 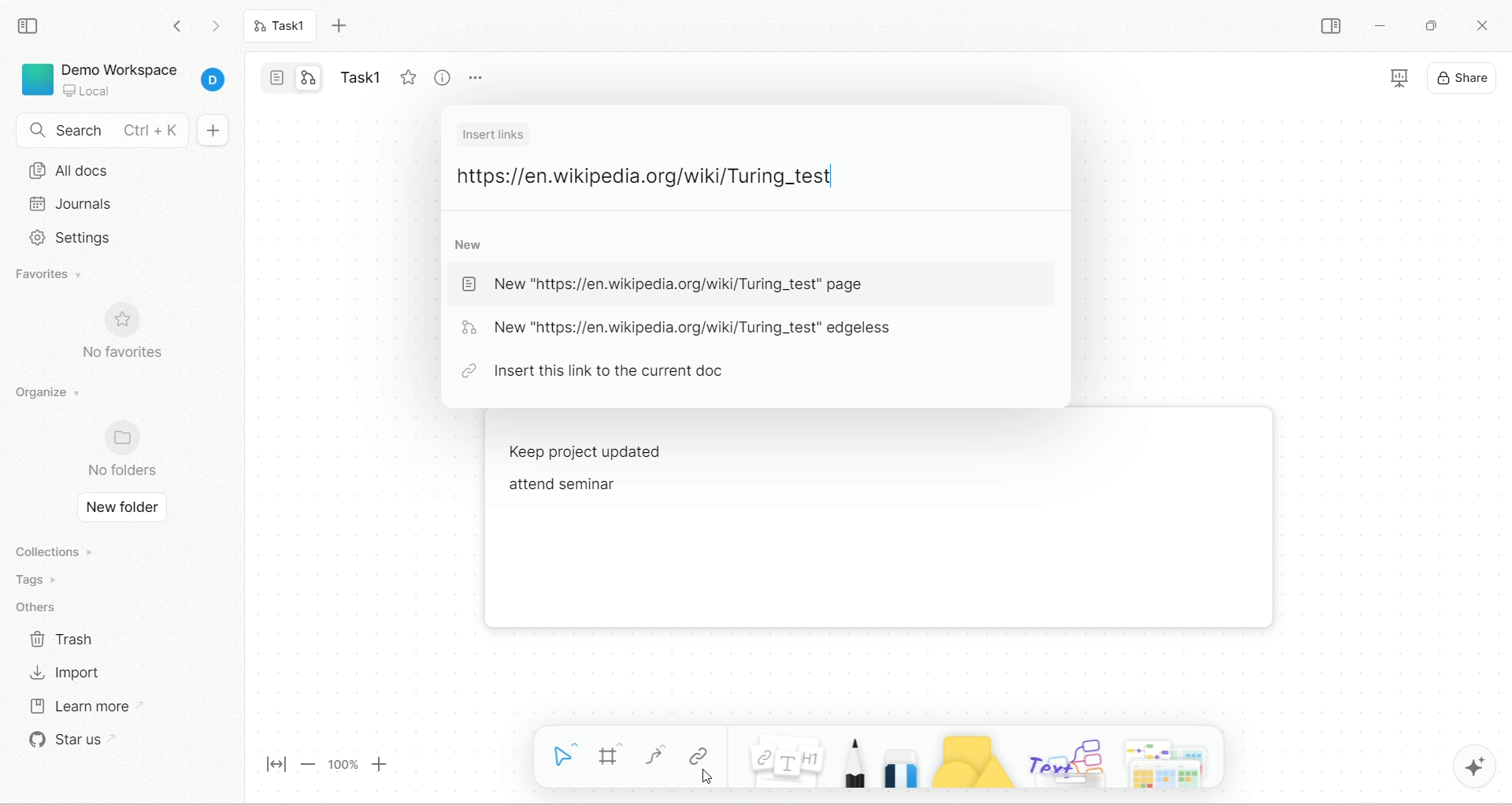 I want to click on Insert Links, so click(x=496, y=135).